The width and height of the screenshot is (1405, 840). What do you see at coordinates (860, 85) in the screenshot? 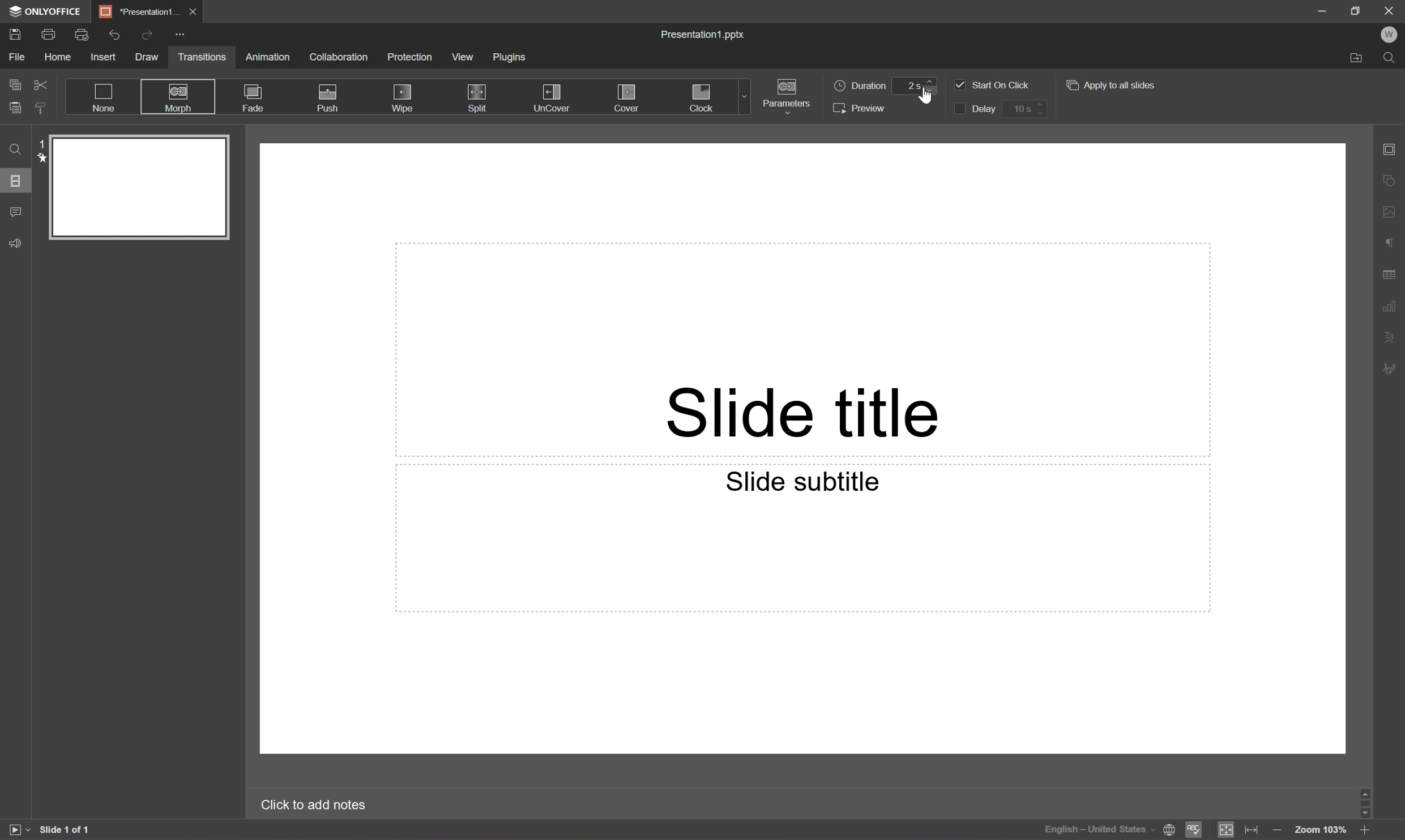
I see `Duration` at bounding box center [860, 85].